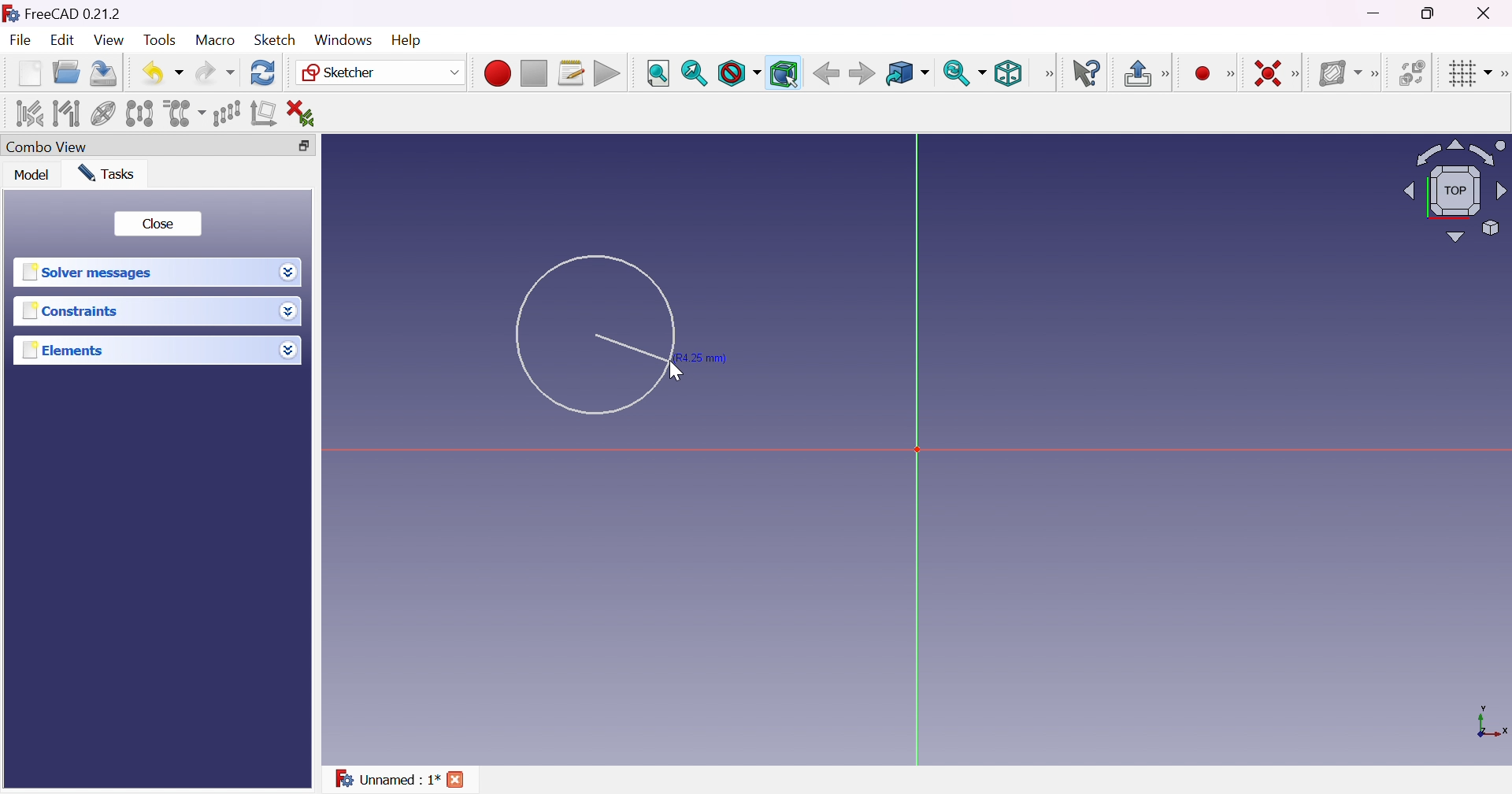 The width and height of the screenshot is (1512, 794). What do you see at coordinates (1047, 75) in the screenshot?
I see `[View]` at bounding box center [1047, 75].